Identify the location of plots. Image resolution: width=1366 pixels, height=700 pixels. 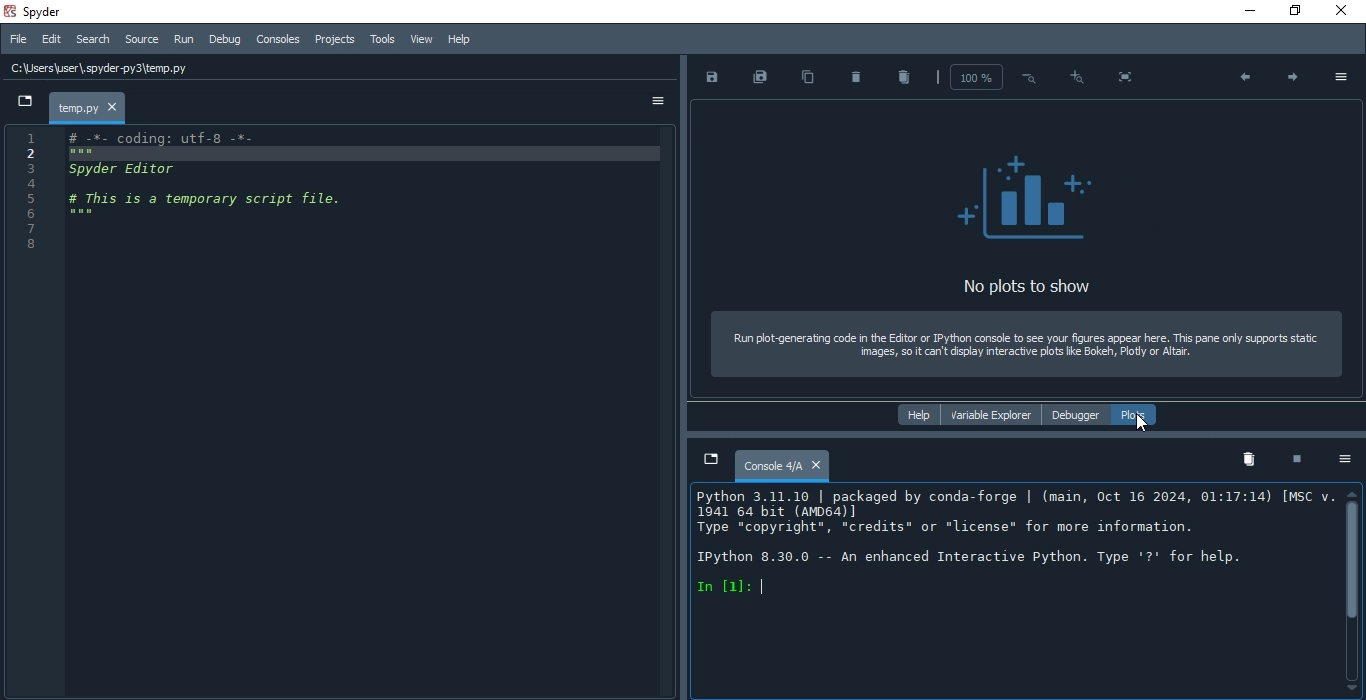
(1133, 414).